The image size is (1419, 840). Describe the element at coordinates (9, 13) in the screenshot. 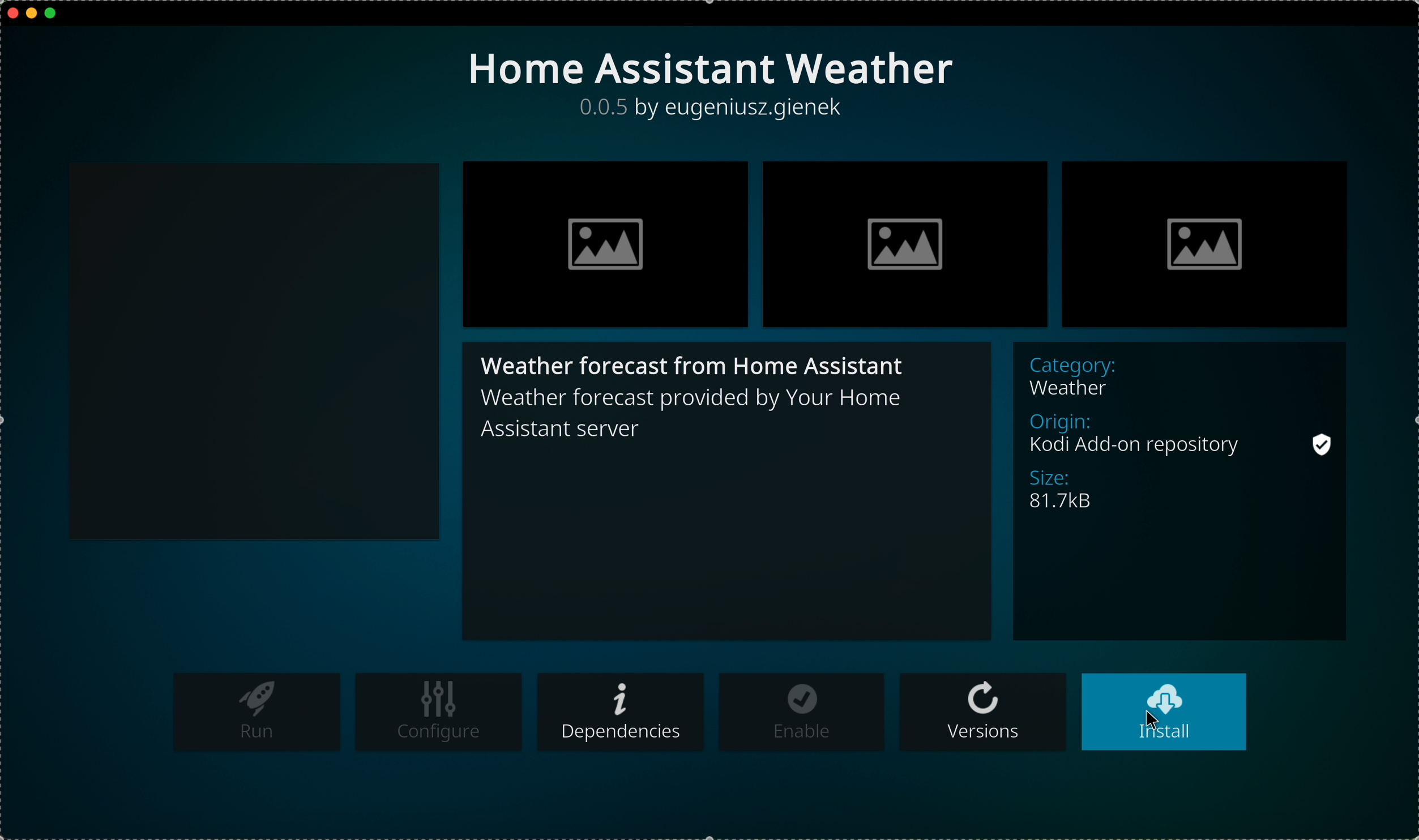

I see `close` at that location.